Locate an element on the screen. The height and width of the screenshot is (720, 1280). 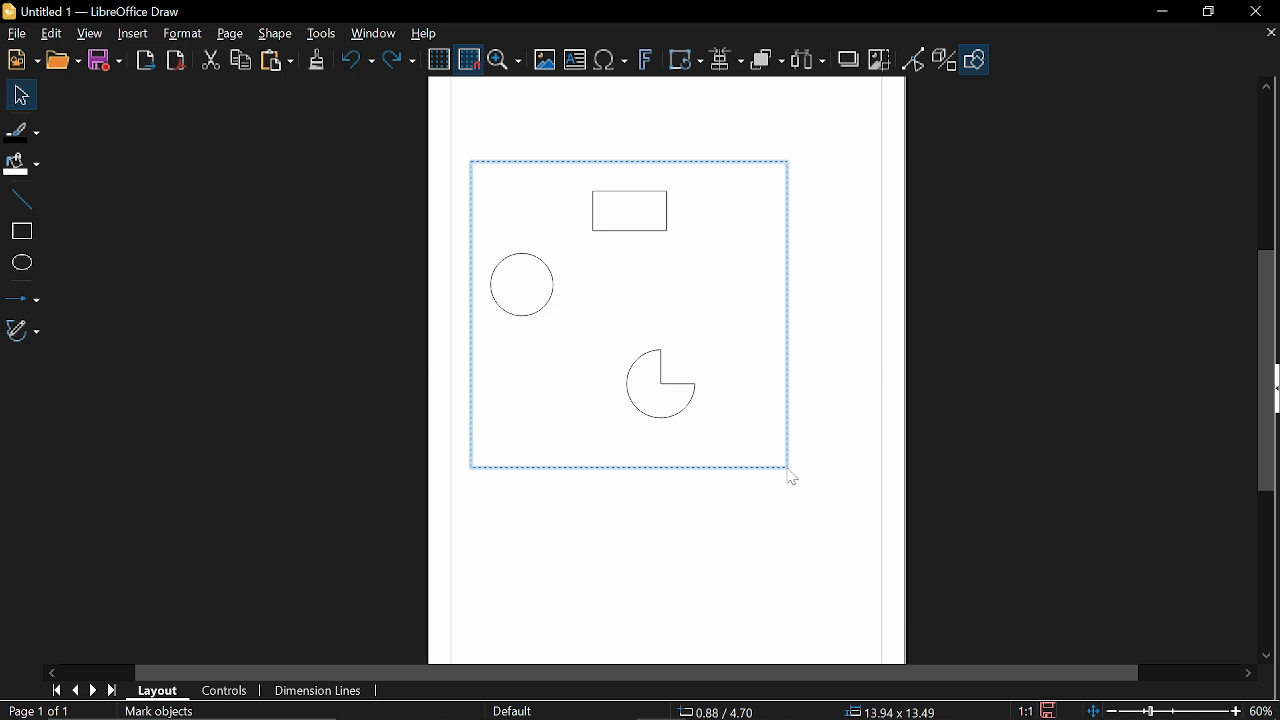
ZOom is located at coordinates (505, 59).